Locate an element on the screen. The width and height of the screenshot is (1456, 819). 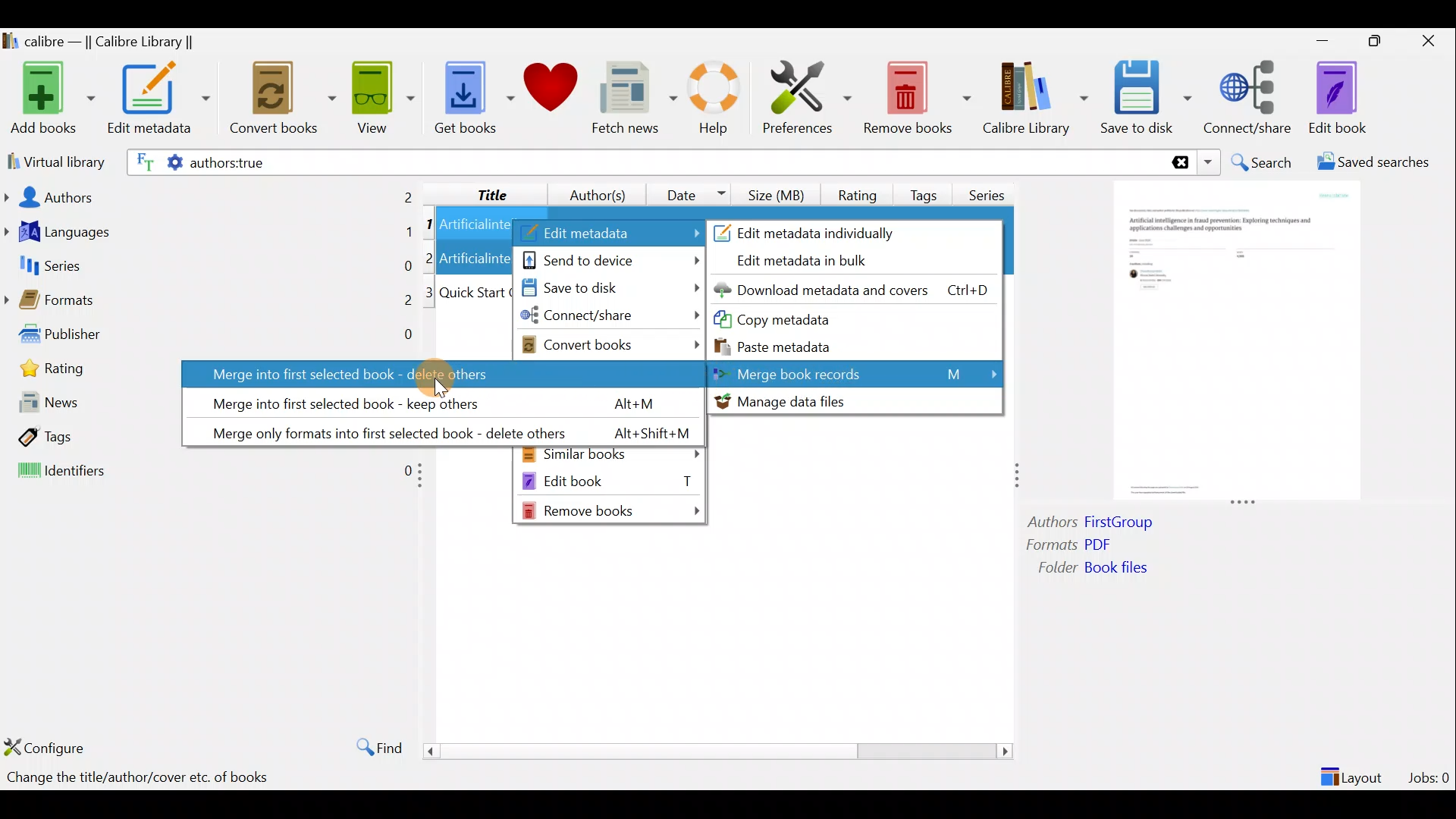
Minimize is located at coordinates (1323, 40).